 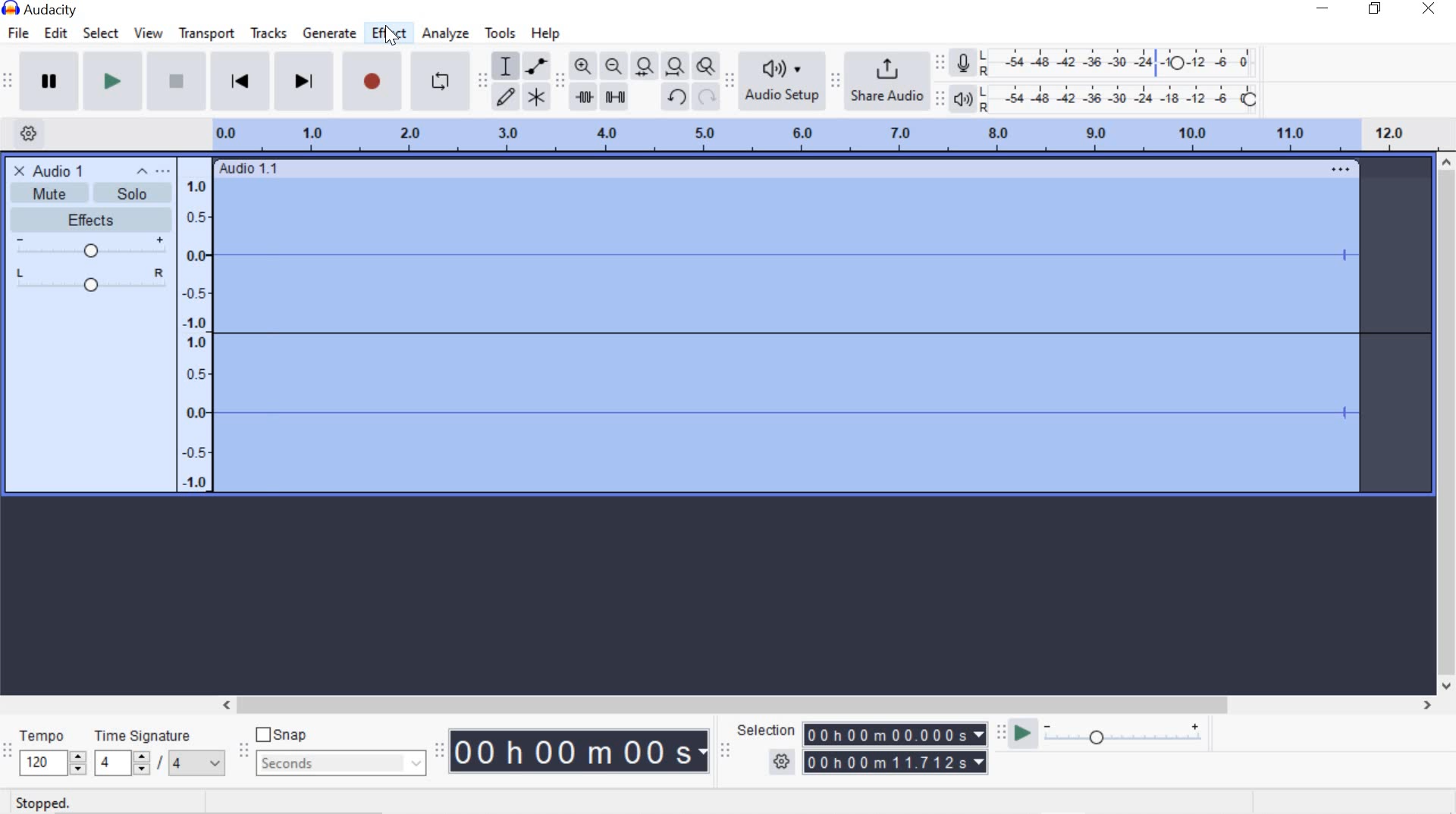 I want to click on restore down, so click(x=1378, y=9).